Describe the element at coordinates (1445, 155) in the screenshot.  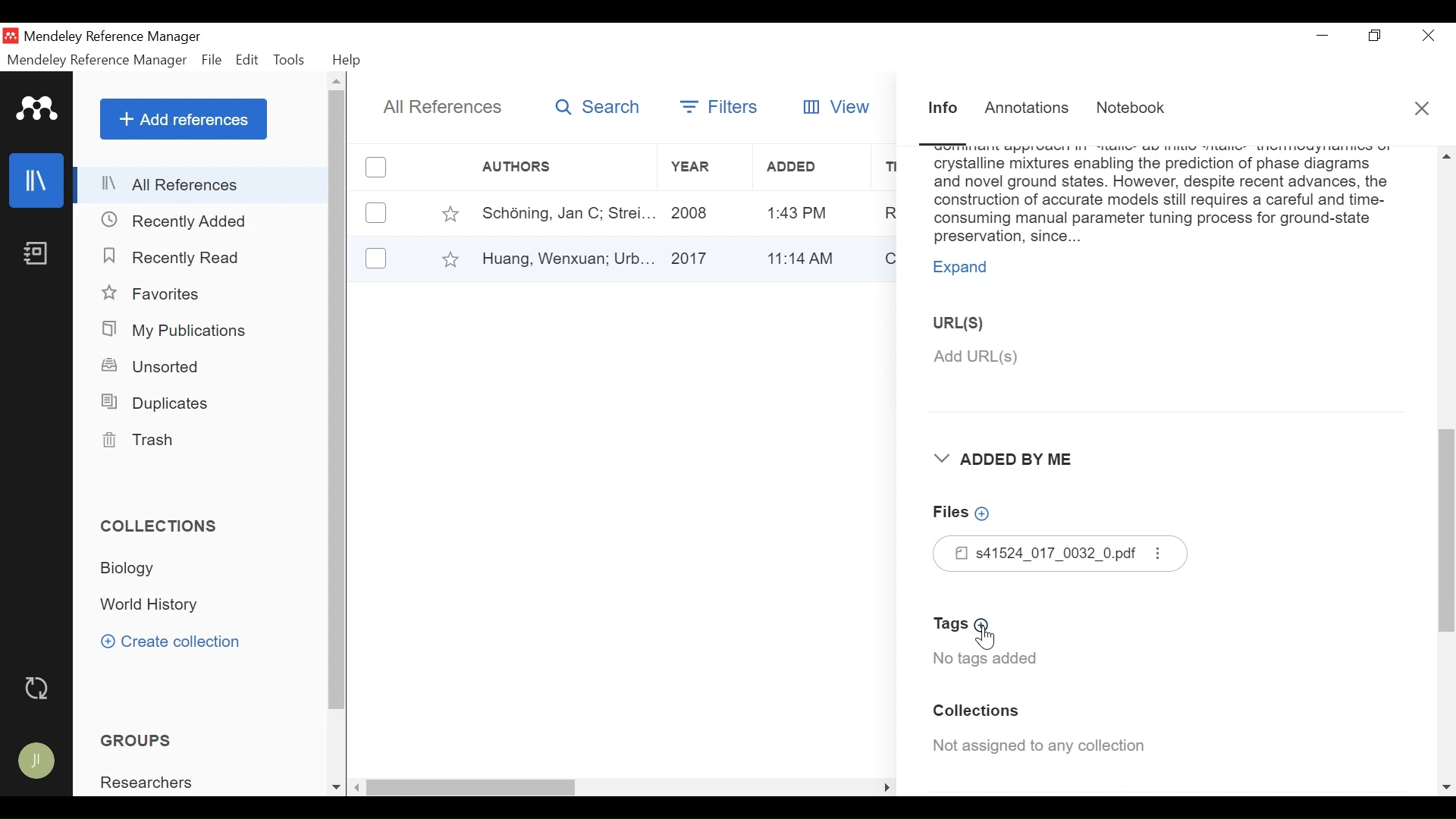
I see `Scroll up` at that location.